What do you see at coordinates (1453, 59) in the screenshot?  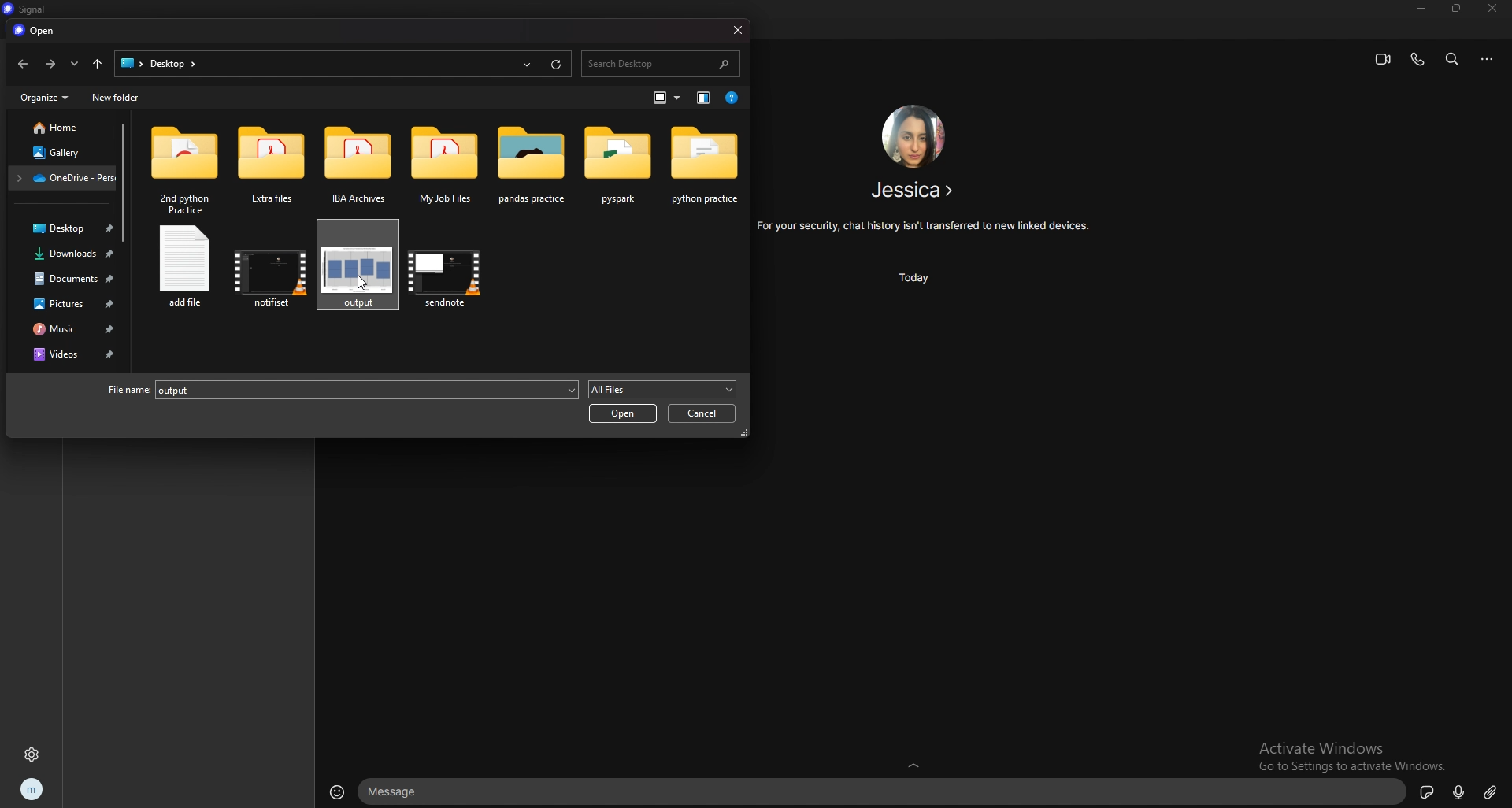 I see `search bar` at bounding box center [1453, 59].